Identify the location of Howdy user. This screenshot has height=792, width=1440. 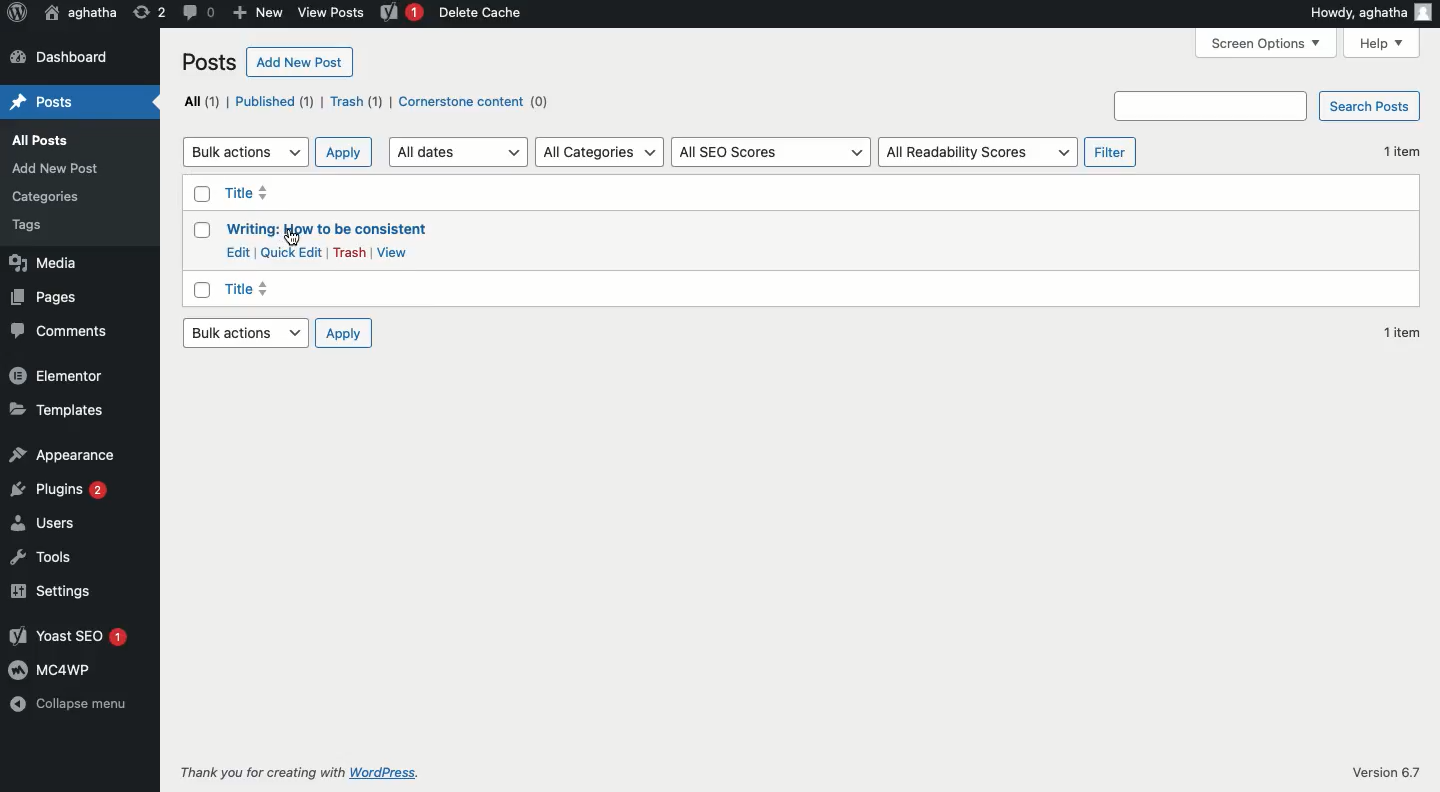
(1369, 15).